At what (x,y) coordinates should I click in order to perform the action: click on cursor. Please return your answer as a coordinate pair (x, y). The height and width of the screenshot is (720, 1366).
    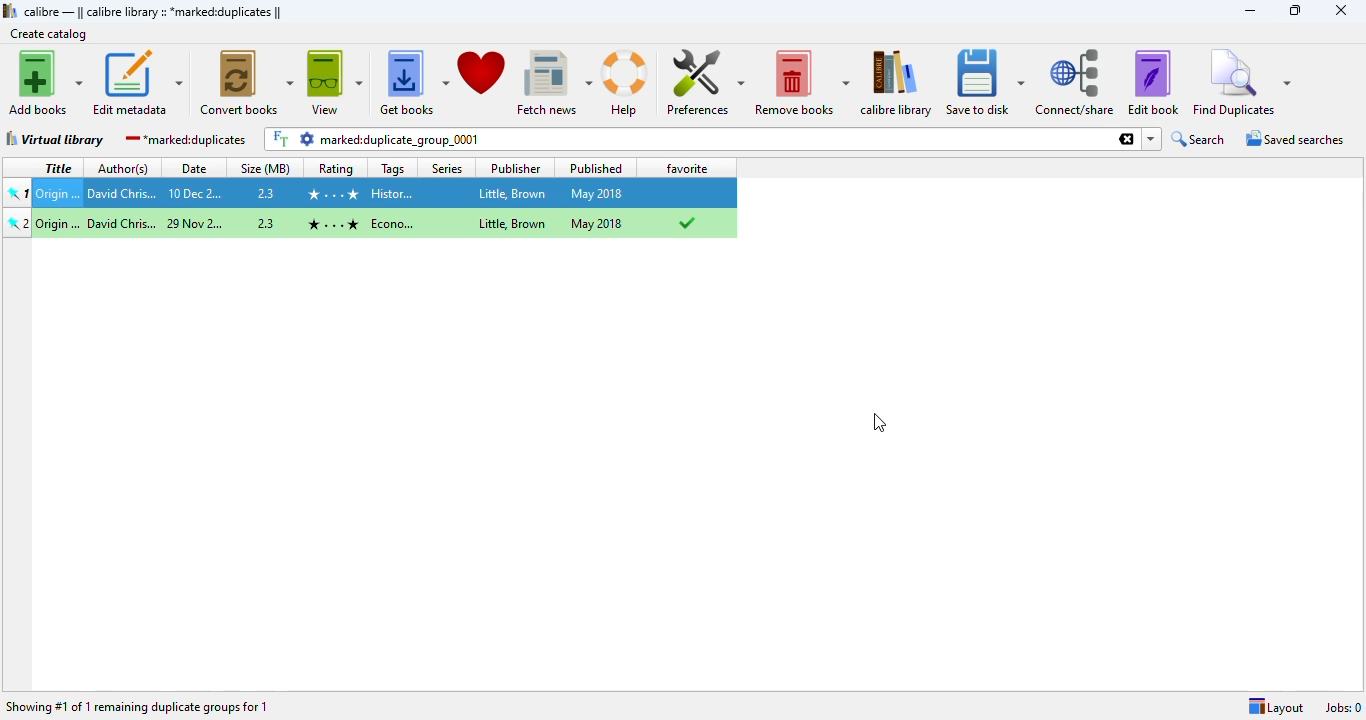
    Looking at the image, I should click on (880, 423).